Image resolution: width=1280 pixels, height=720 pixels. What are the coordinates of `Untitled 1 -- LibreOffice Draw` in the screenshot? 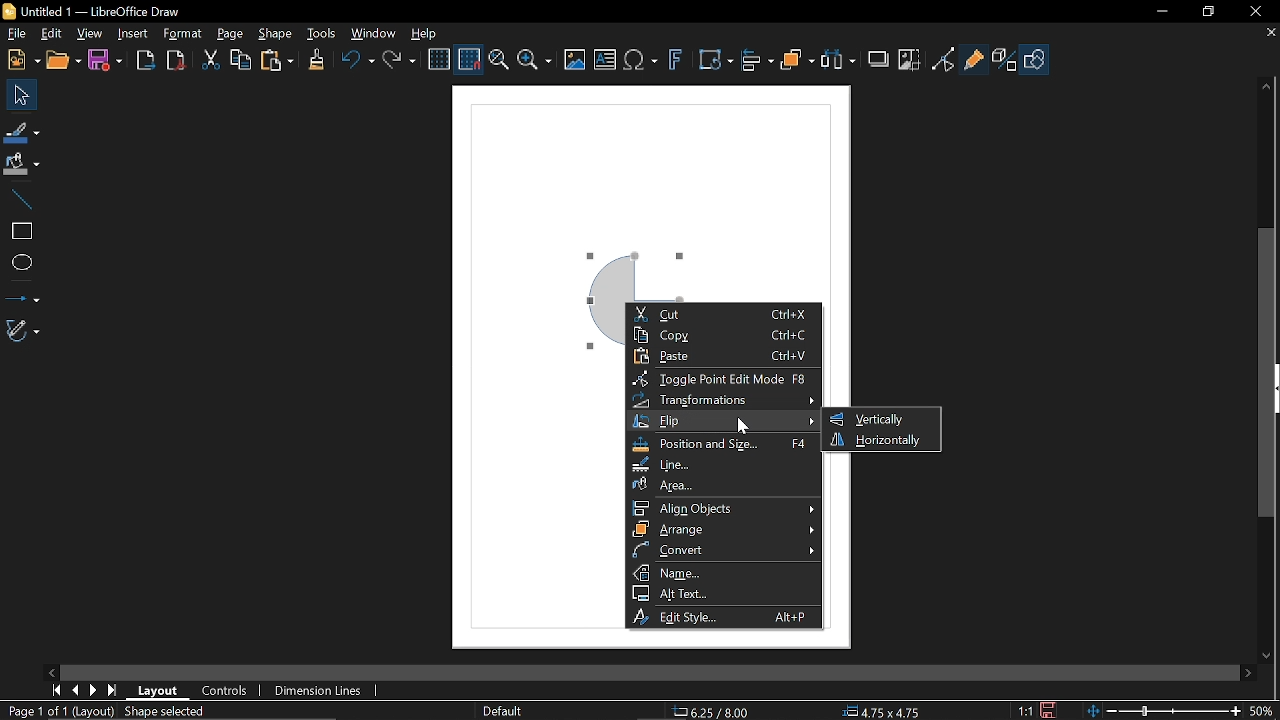 It's located at (110, 11).